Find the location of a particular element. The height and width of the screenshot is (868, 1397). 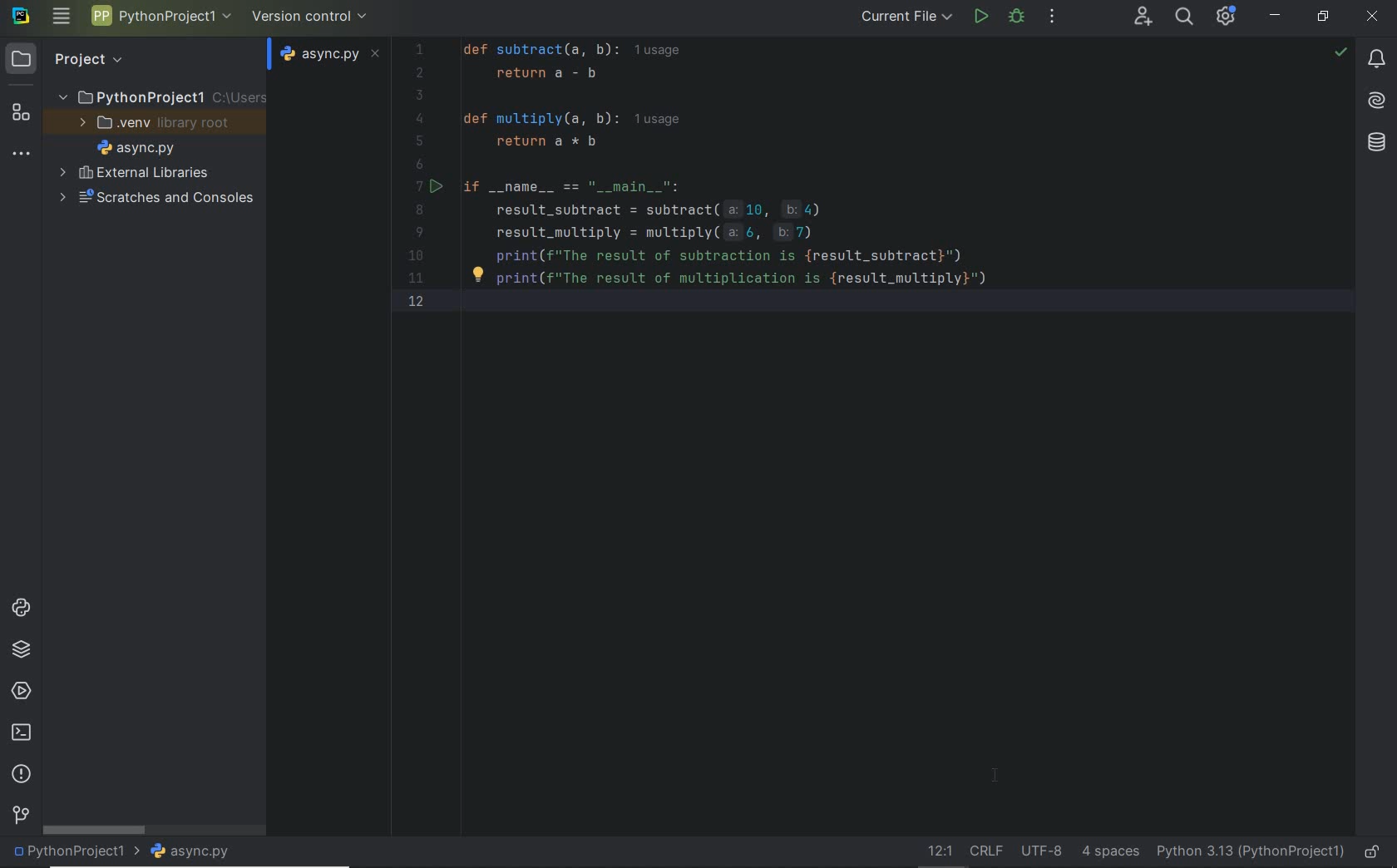

CLOSE is located at coordinates (1373, 15).